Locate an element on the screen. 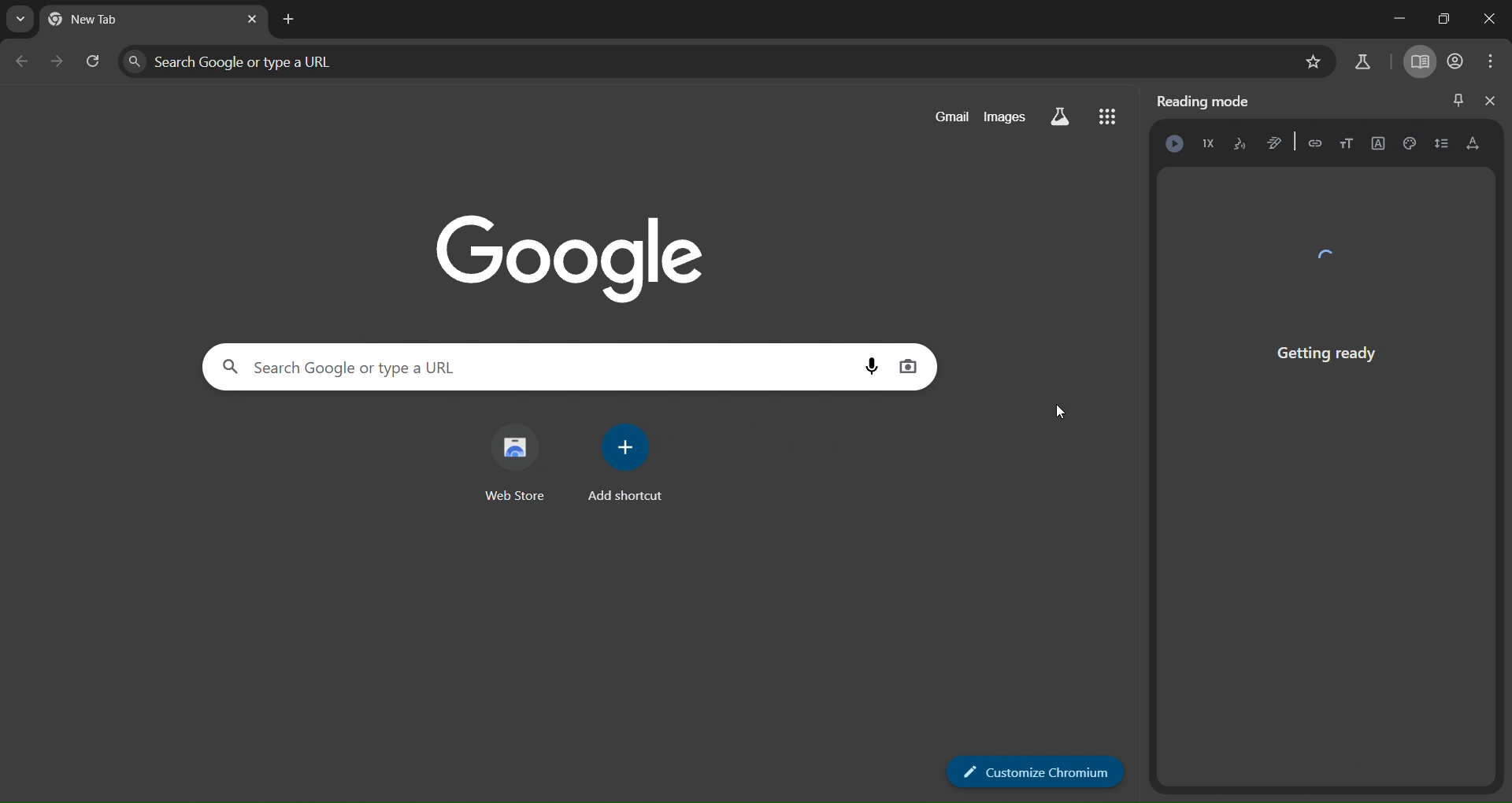  current tab is located at coordinates (124, 22).